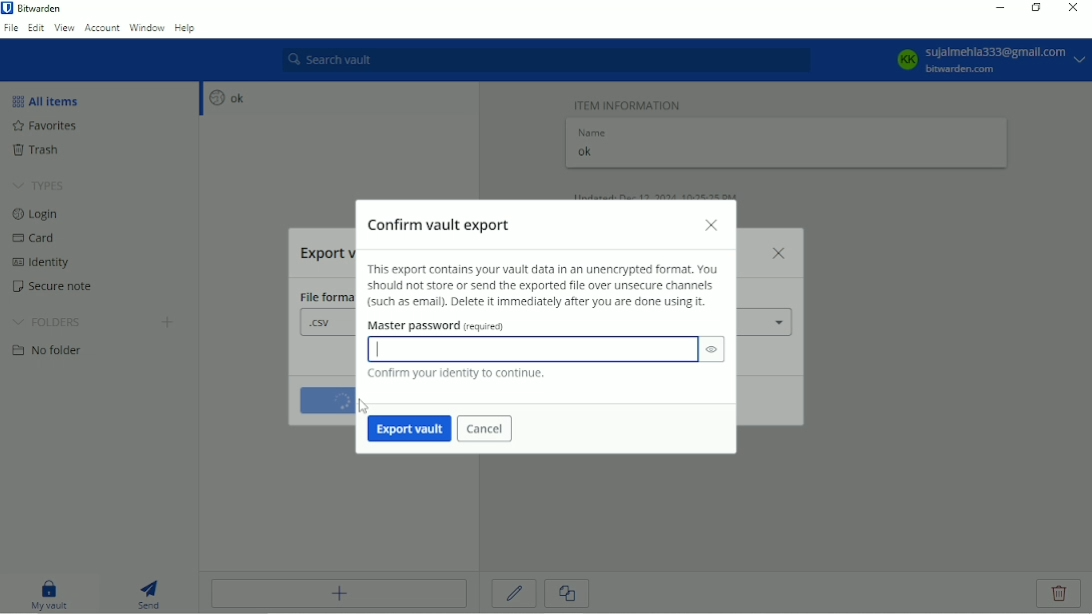 The height and width of the screenshot is (614, 1092). I want to click on export vault, so click(410, 429).